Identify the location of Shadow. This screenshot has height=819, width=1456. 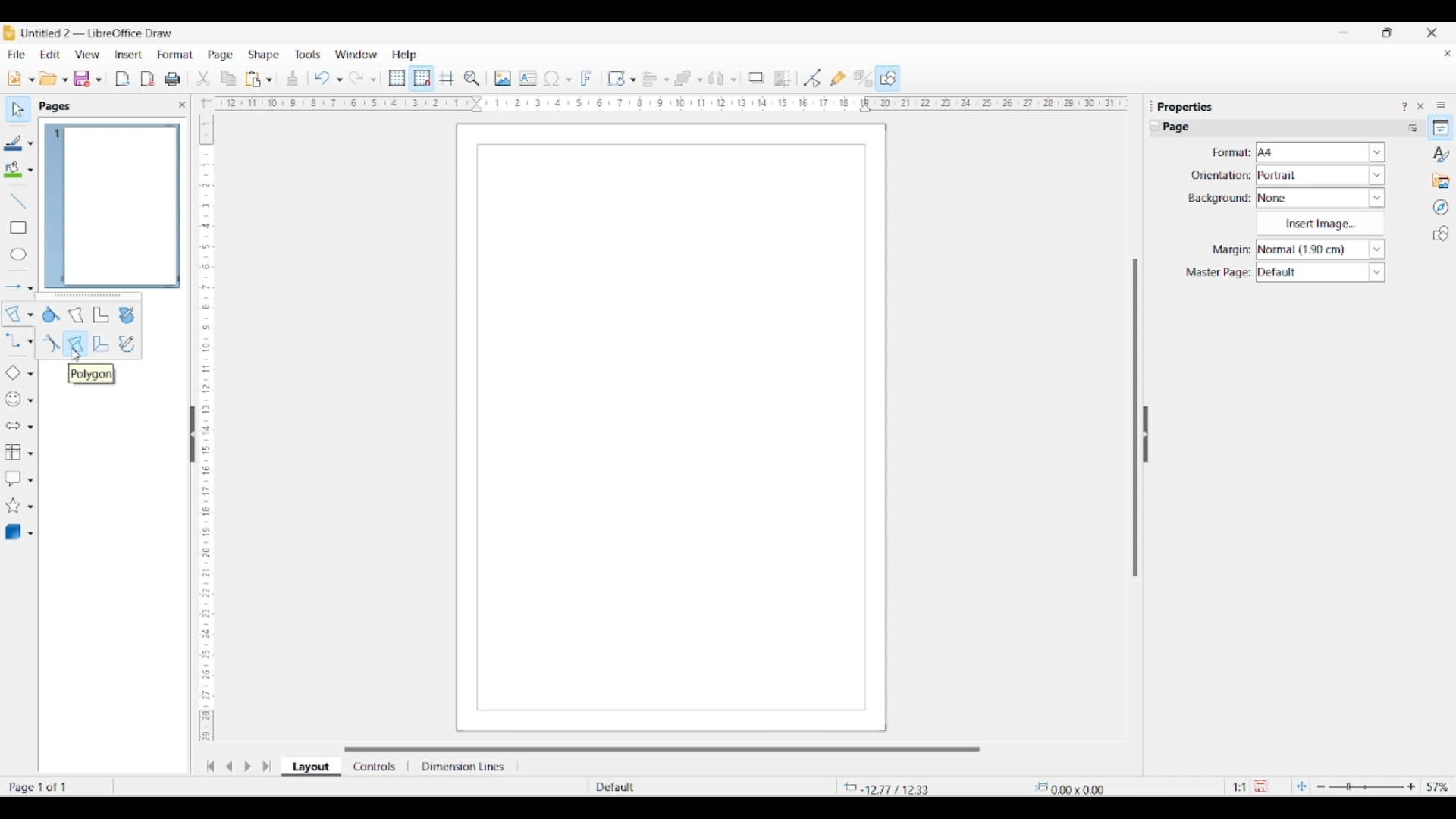
(756, 77).